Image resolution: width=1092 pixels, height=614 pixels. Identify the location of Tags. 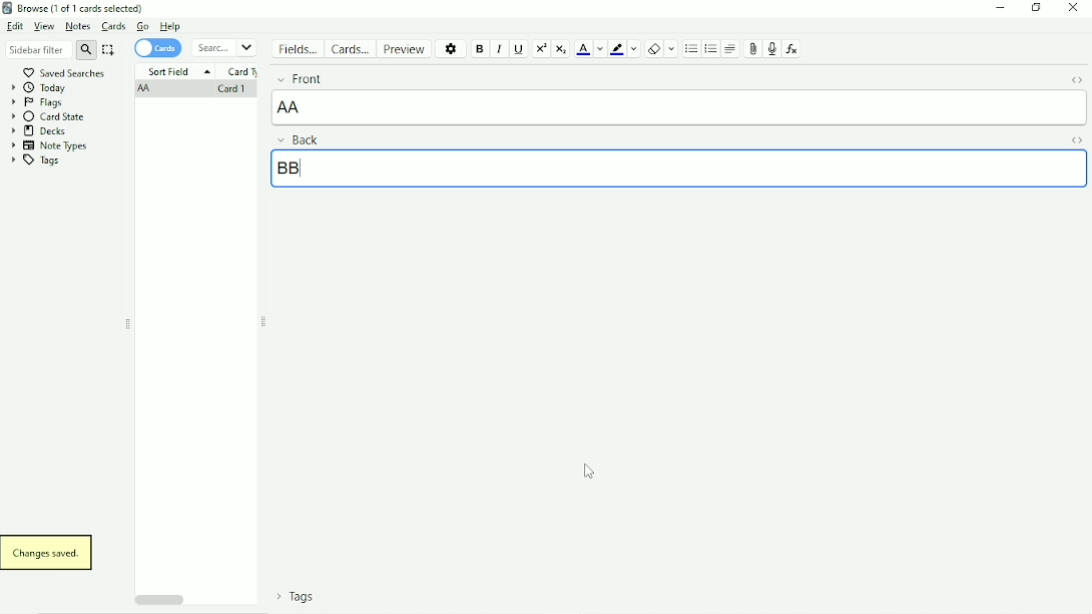
(296, 596).